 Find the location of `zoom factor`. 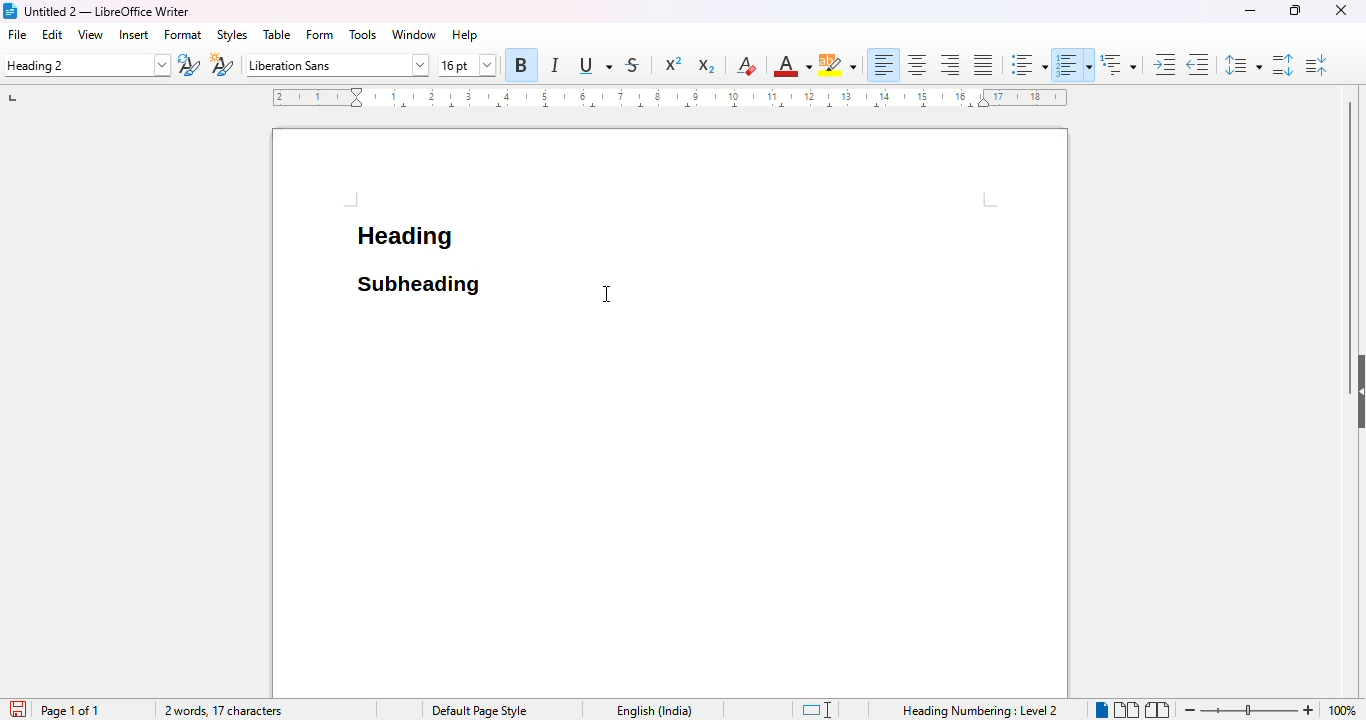

zoom factor is located at coordinates (1342, 711).